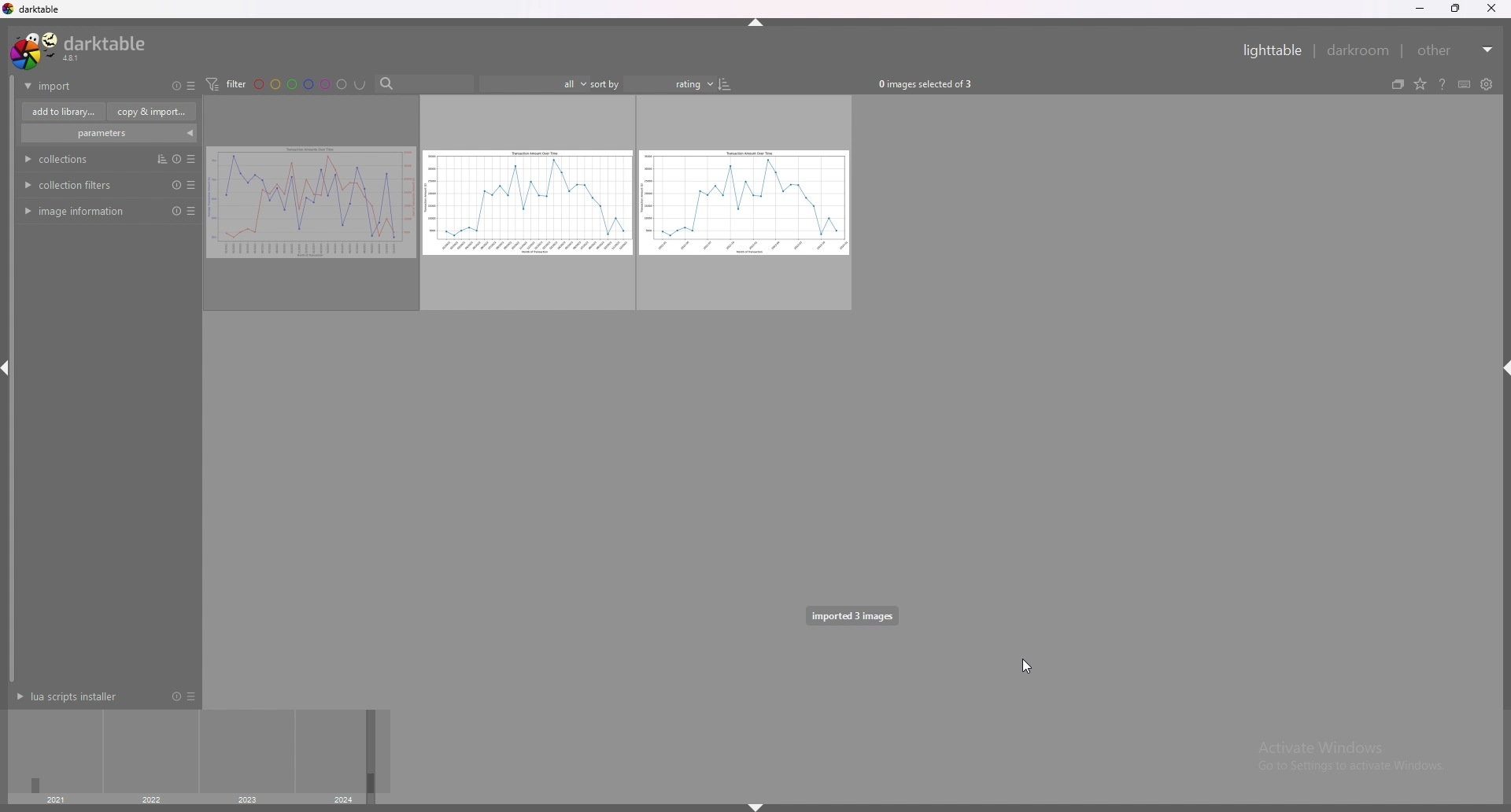 The width and height of the screenshot is (1511, 812). I want to click on shift+ctlr+r, so click(1502, 367).